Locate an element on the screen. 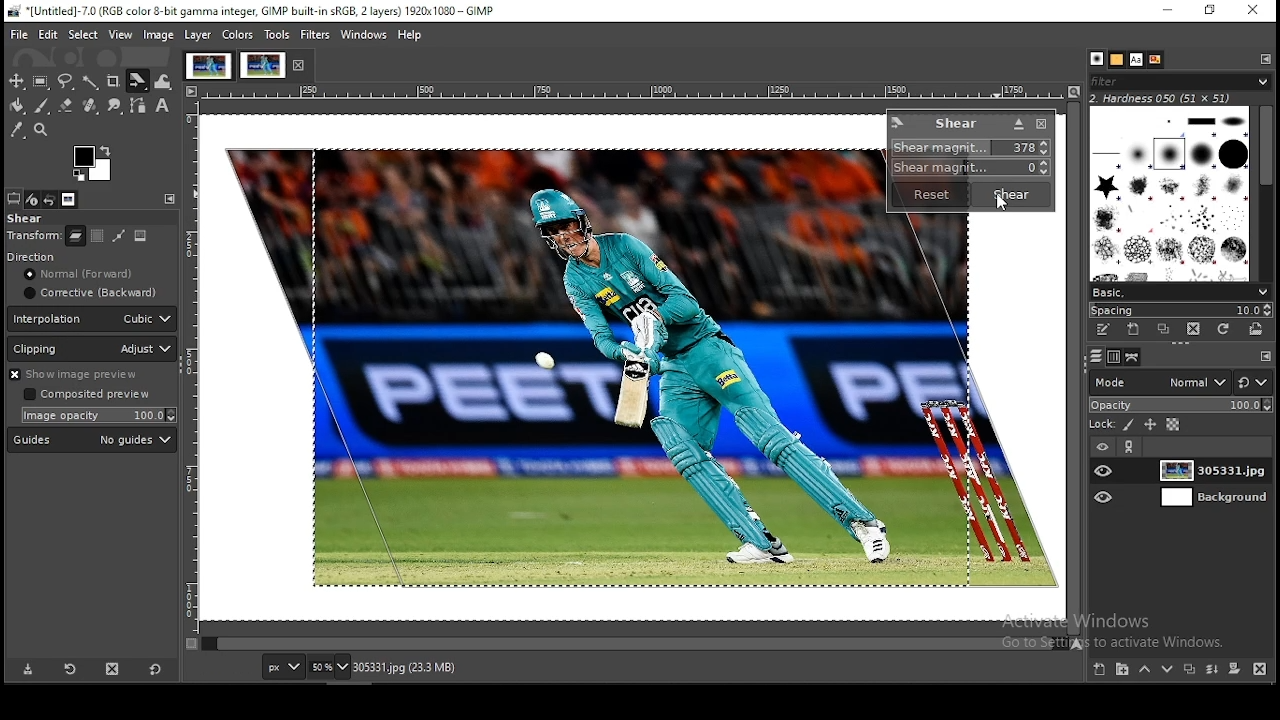 The width and height of the screenshot is (1280, 720). free selection tool is located at coordinates (66, 82).